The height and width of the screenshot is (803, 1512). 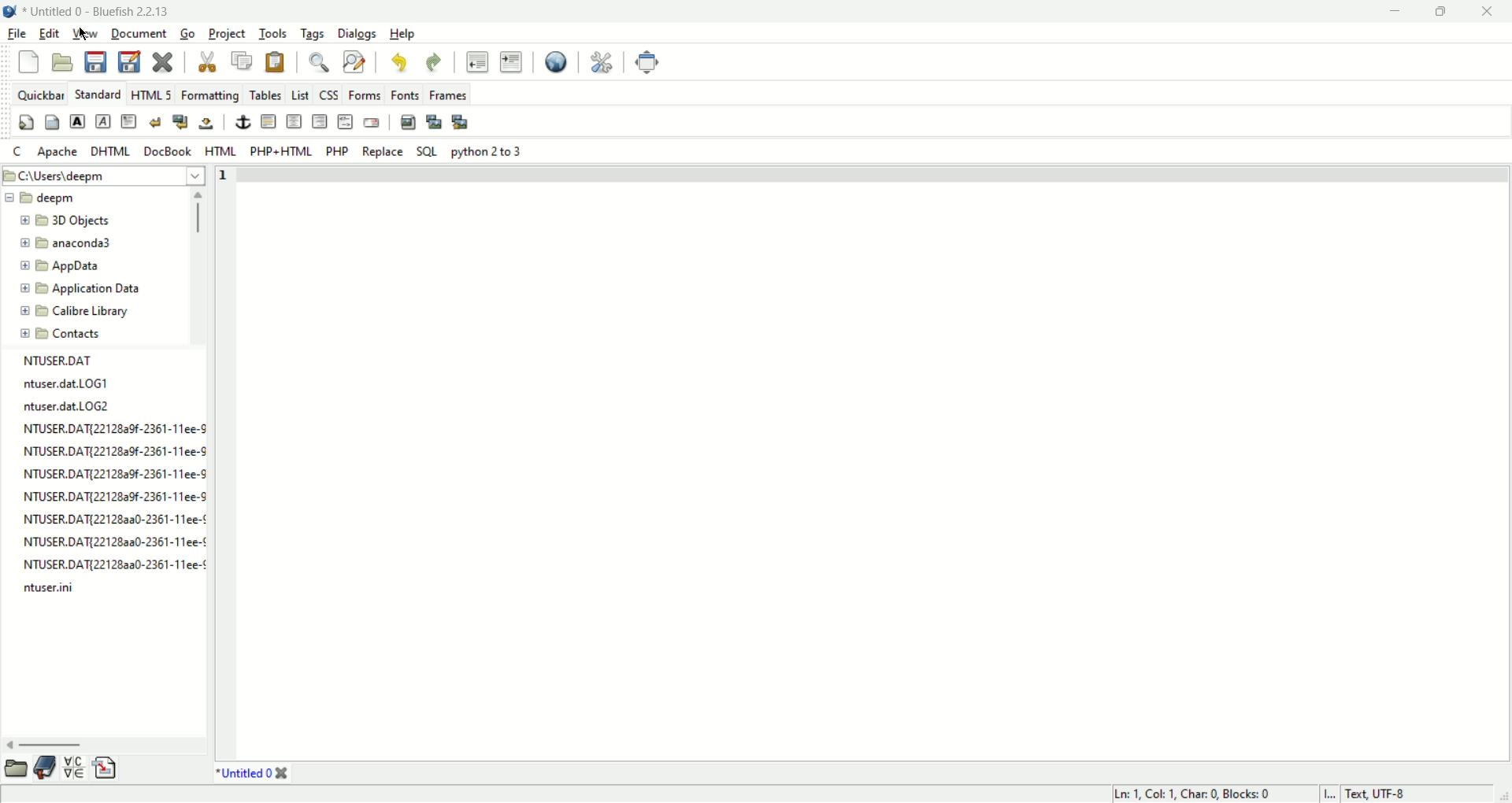 What do you see at coordinates (71, 385) in the screenshot?
I see `ntuser.dat.LOG1` at bounding box center [71, 385].